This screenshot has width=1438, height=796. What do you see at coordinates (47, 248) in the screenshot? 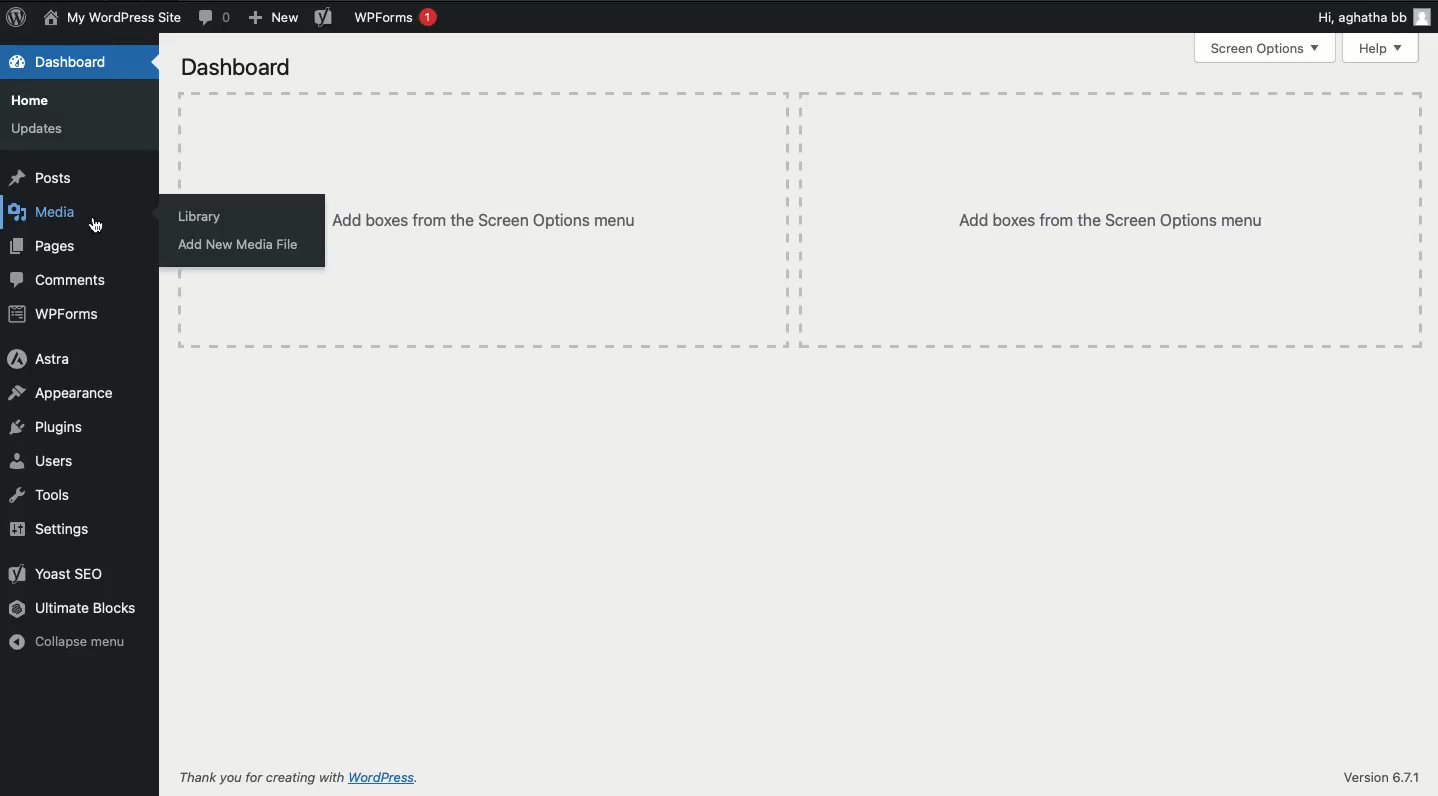
I see `Pages` at bounding box center [47, 248].